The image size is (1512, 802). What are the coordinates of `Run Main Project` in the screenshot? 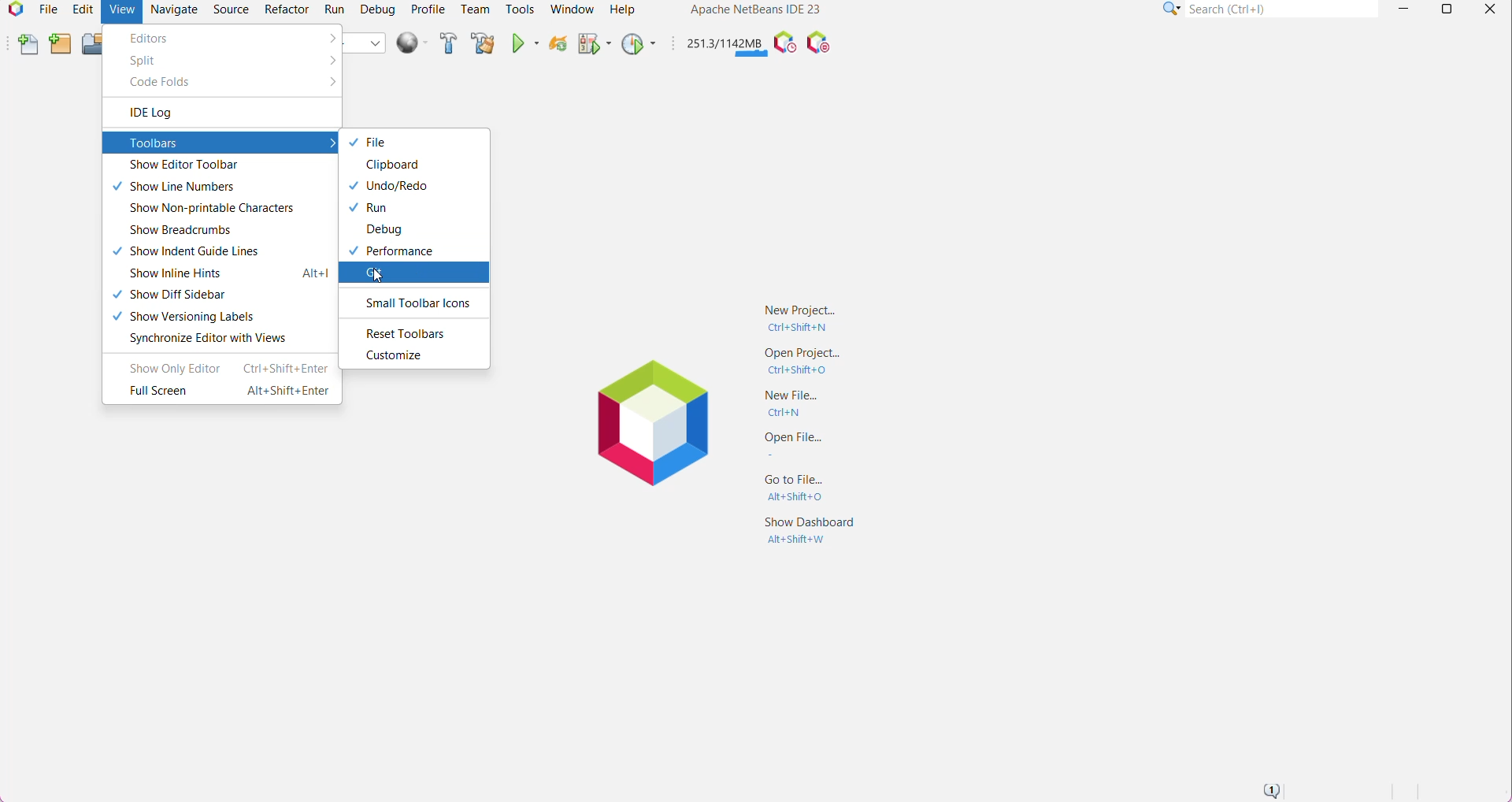 It's located at (524, 44).